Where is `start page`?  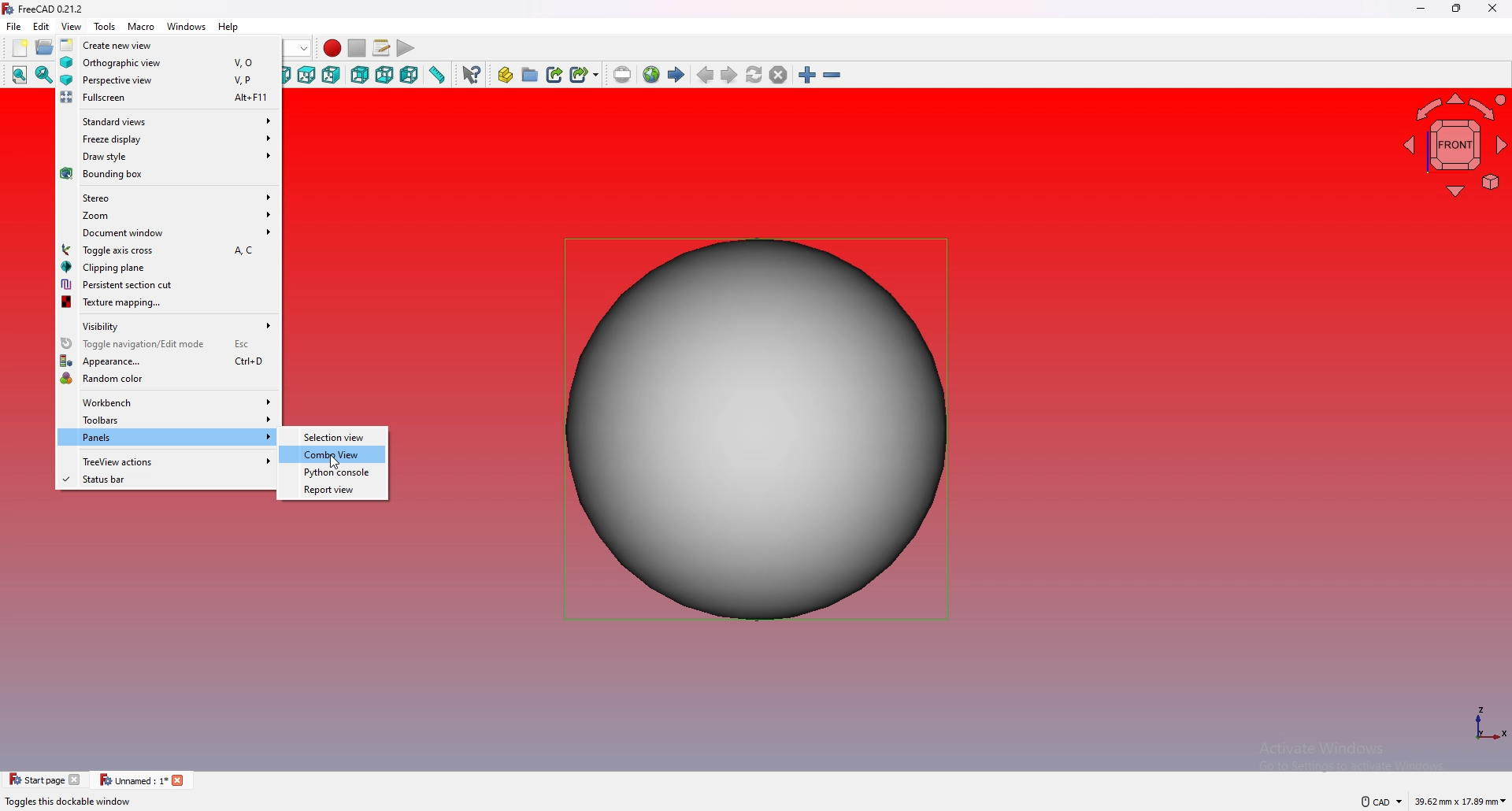 start page is located at coordinates (676, 75).